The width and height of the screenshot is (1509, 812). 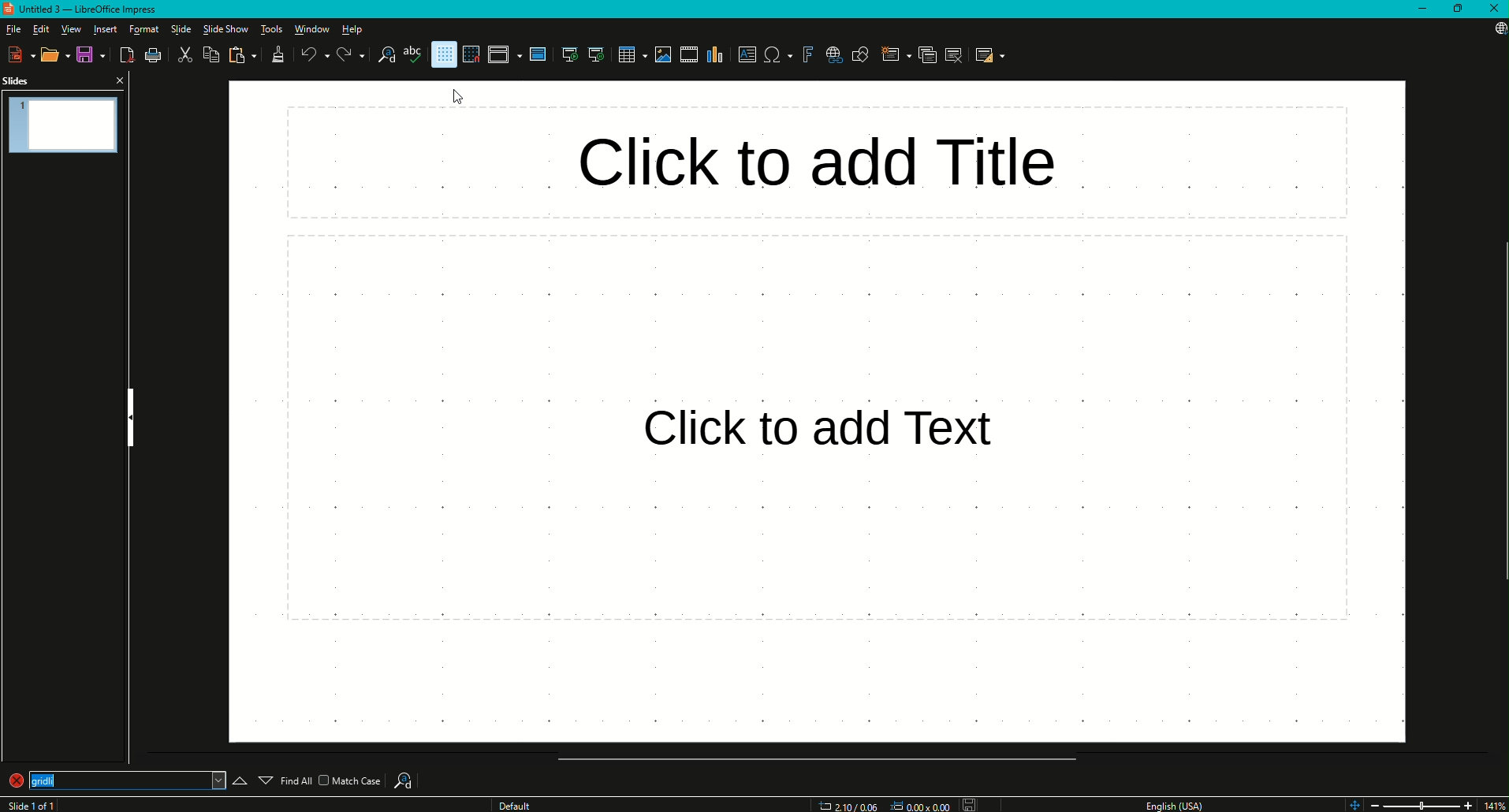 I want to click on Undo, so click(x=311, y=54).